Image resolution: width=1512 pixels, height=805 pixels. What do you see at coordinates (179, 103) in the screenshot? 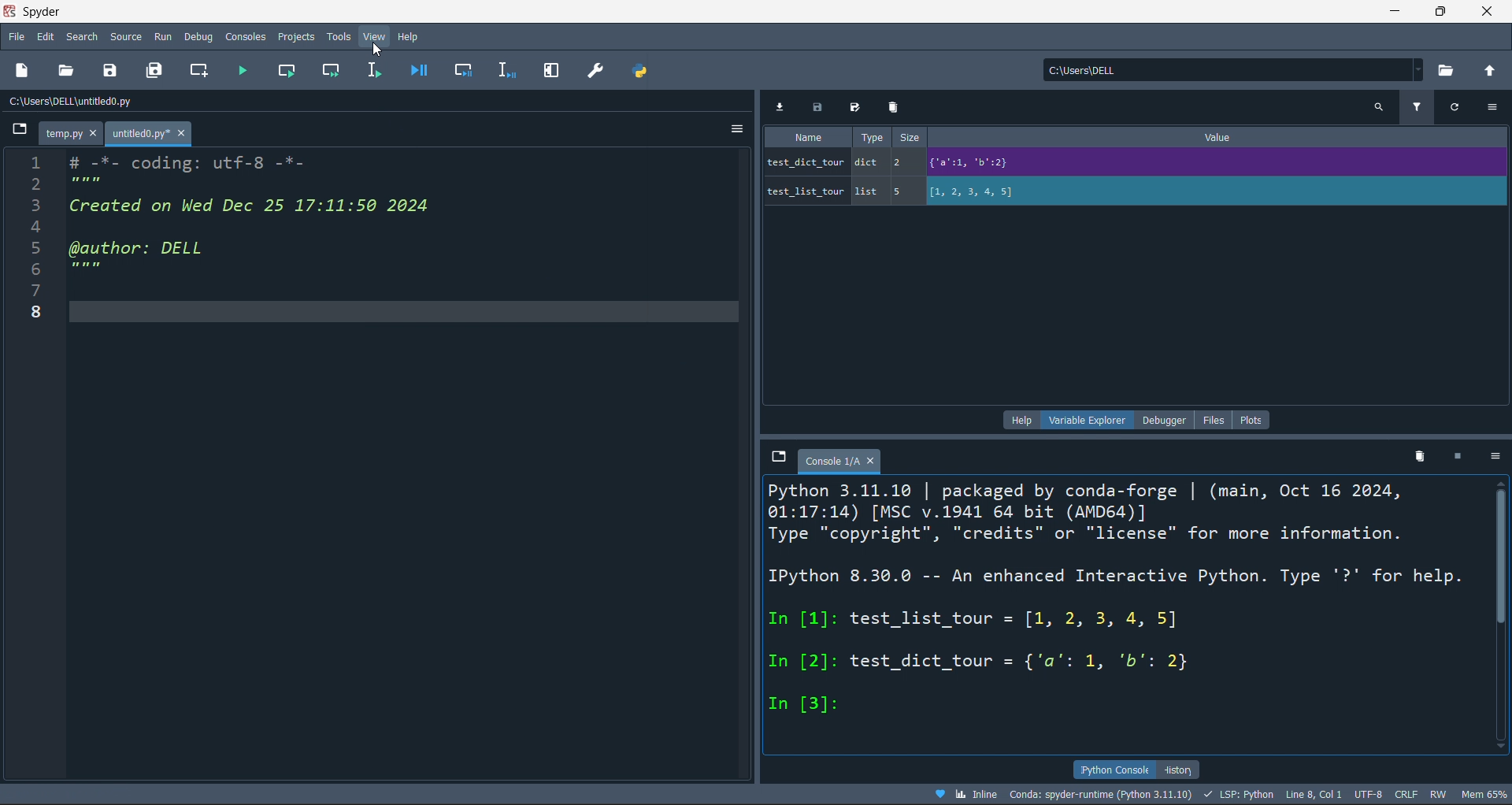
I see `file path` at bounding box center [179, 103].